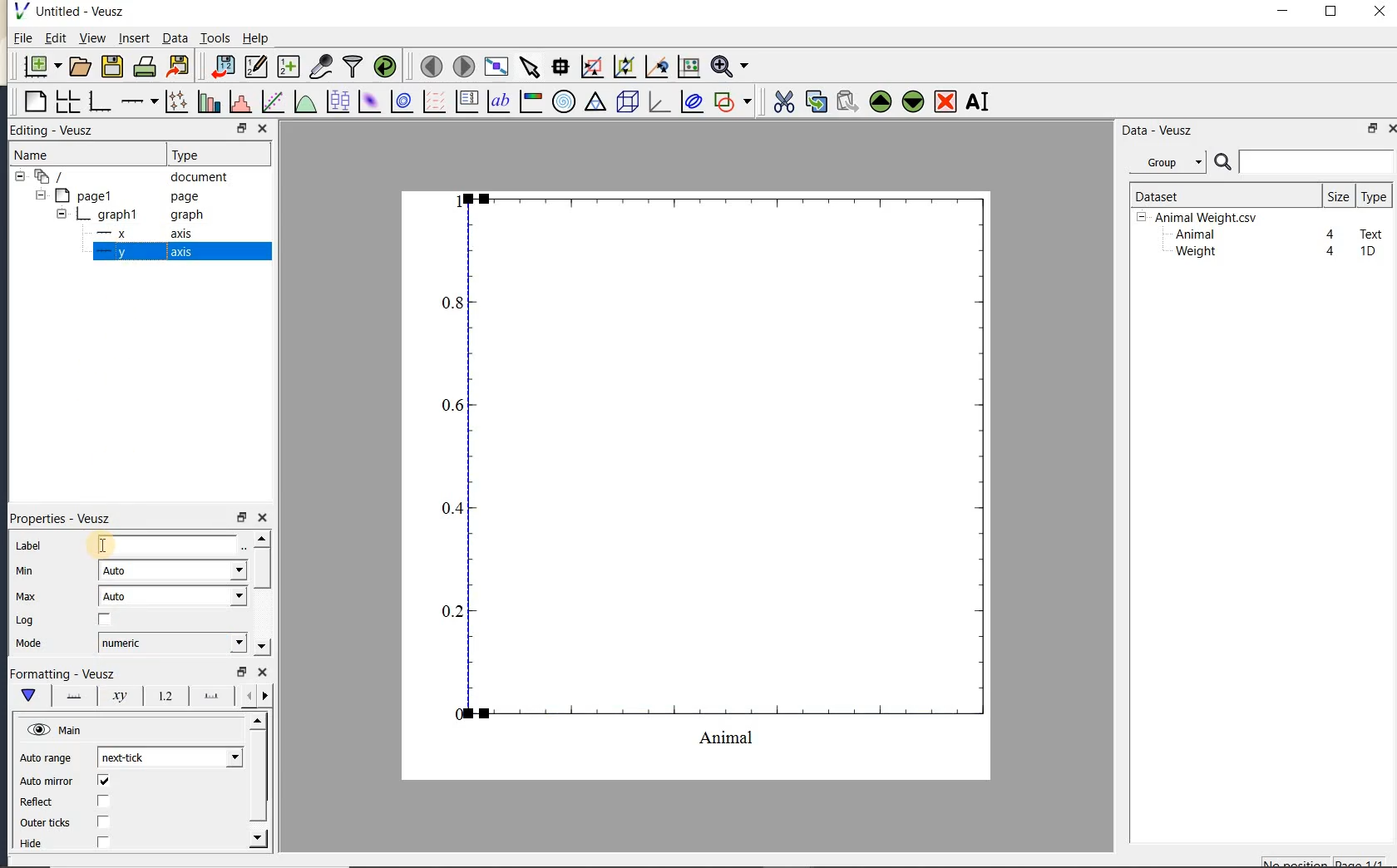 The height and width of the screenshot is (868, 1397). Describe the element at coordinates (657, 67) in the screenshot. I see `click to recenter graph axes` at that location.